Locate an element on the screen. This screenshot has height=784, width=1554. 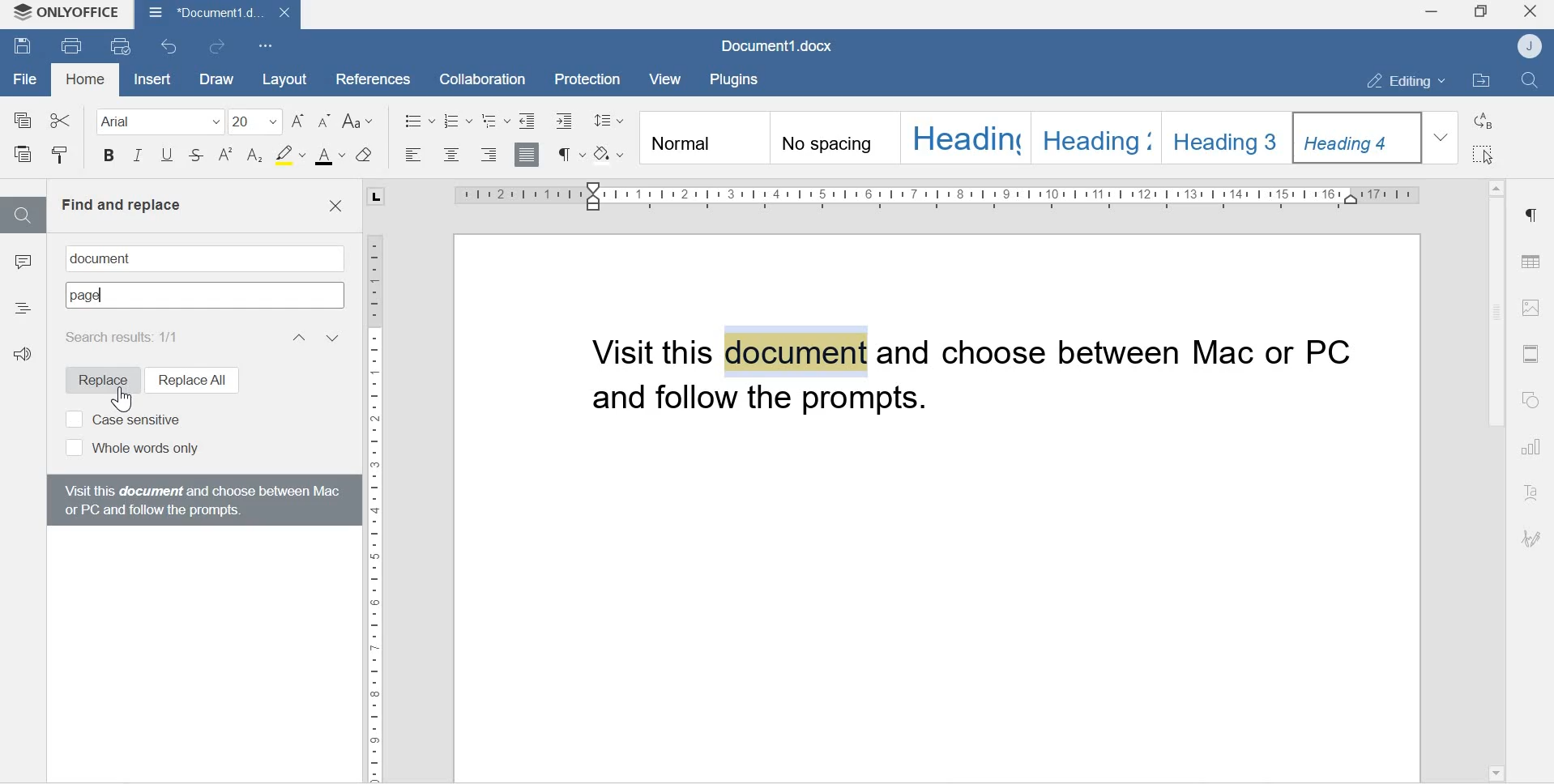
Numbering is located at coordinates (459, 120).